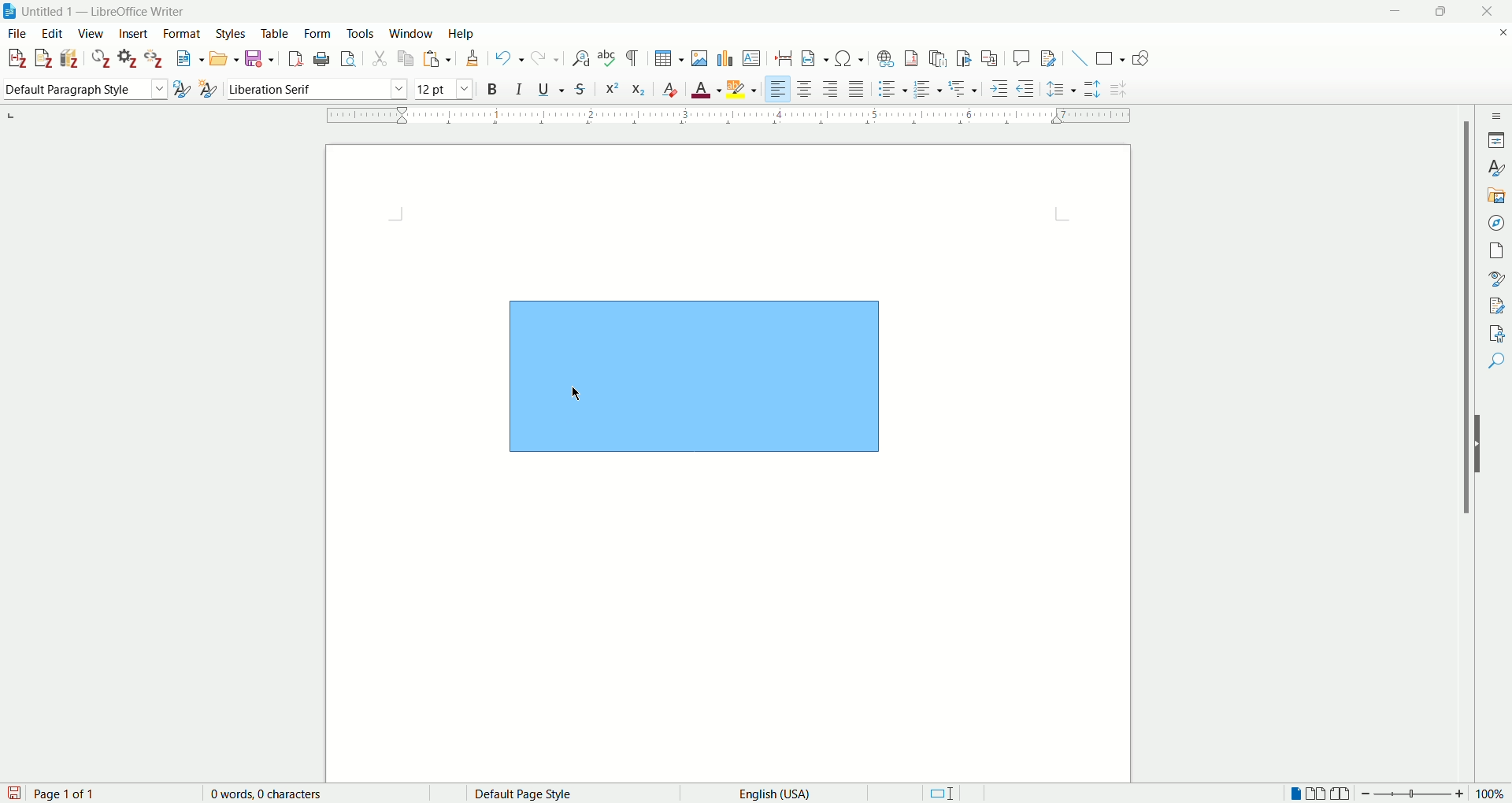 The height and width of the screenshot is (803, 1512). What do you see at coordinates (615, 90) in the screenshot?
I see `superscript` at bounding box center [615, 90].